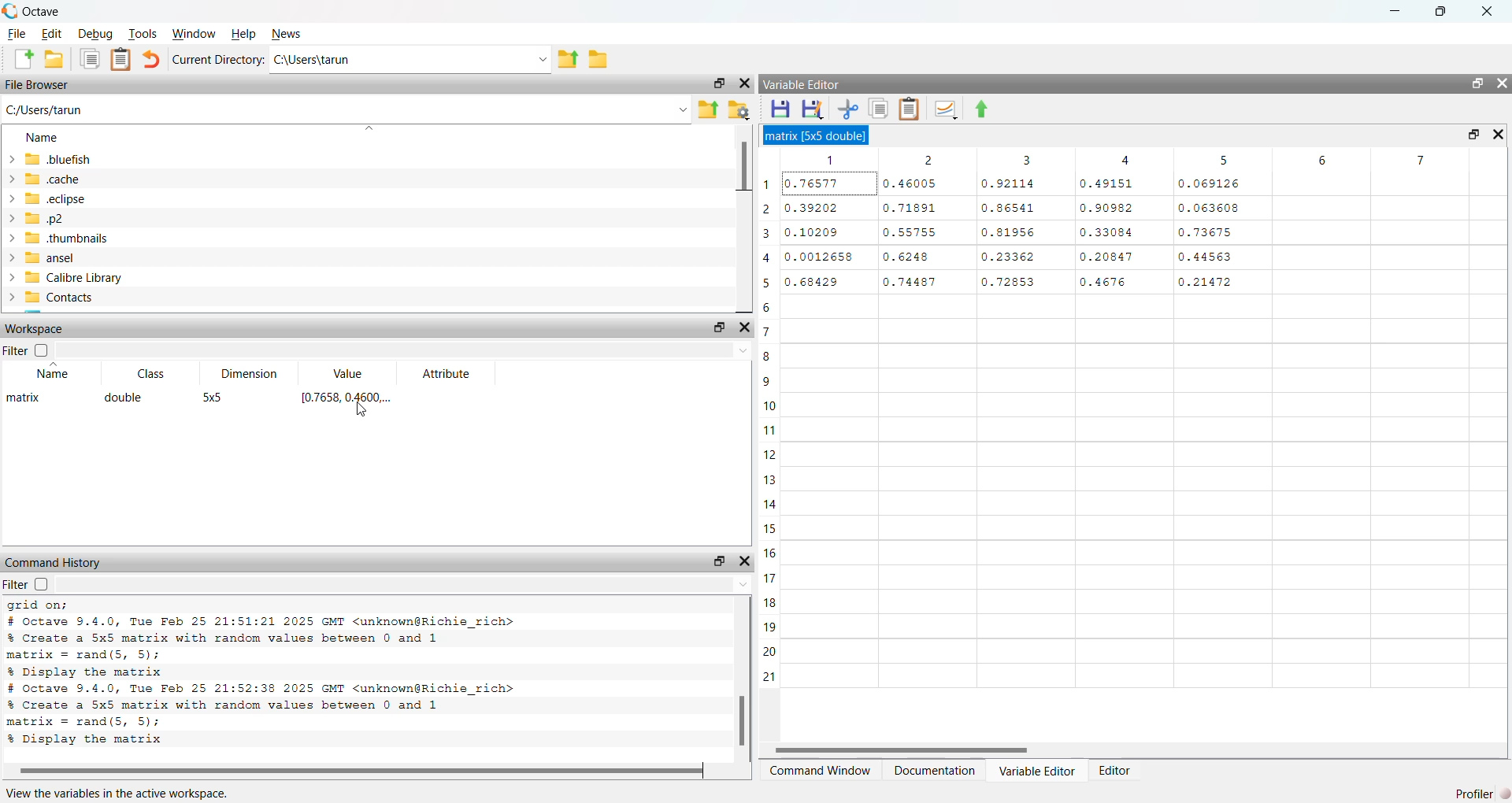  I want to click on variable Editor, so click(808, 85).